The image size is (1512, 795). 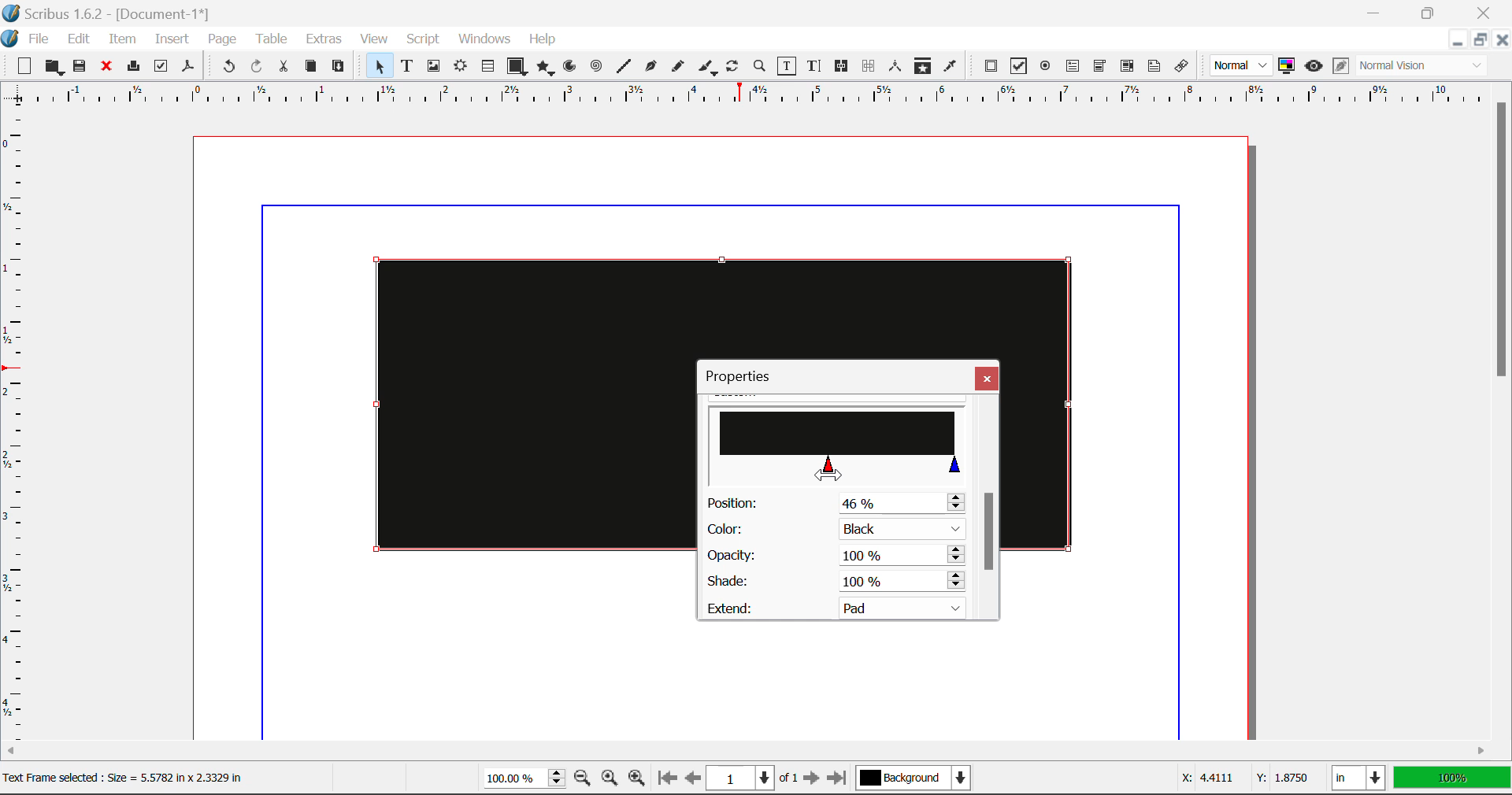 I want to click on Edit Text with Story Editor, so click(x=817, y=66).